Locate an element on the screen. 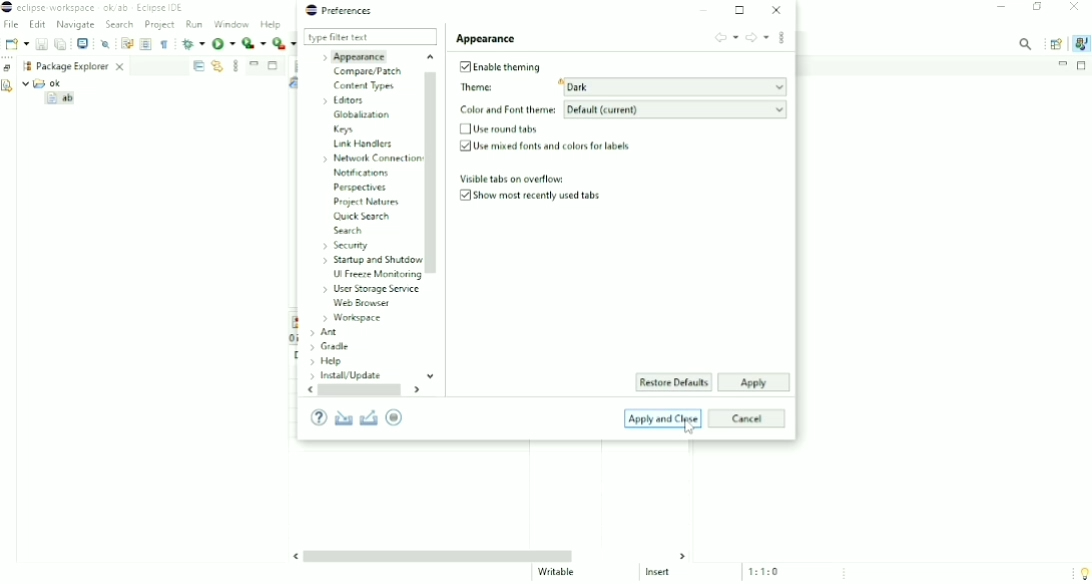  Preferences is located at coordinates (340, 10).